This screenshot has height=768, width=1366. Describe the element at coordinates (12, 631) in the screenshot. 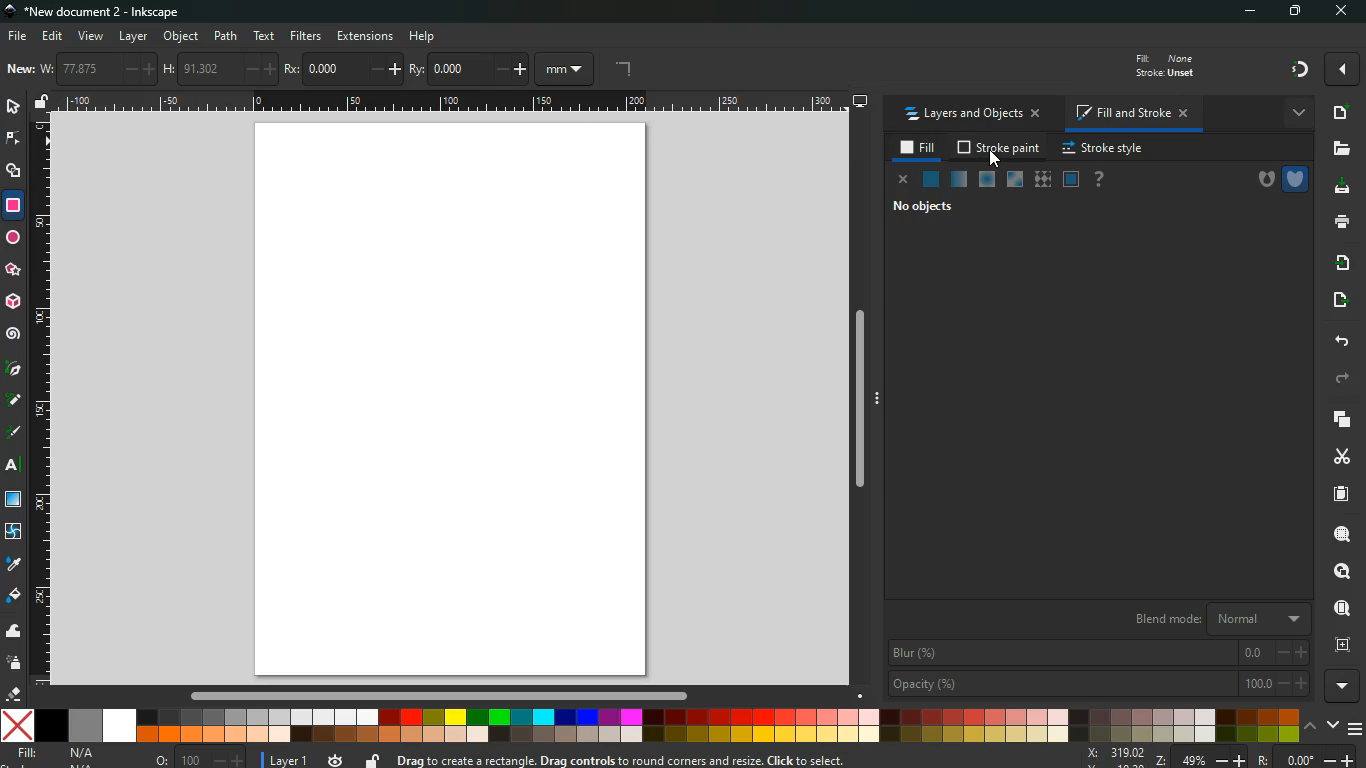

I see `wave` at that location.